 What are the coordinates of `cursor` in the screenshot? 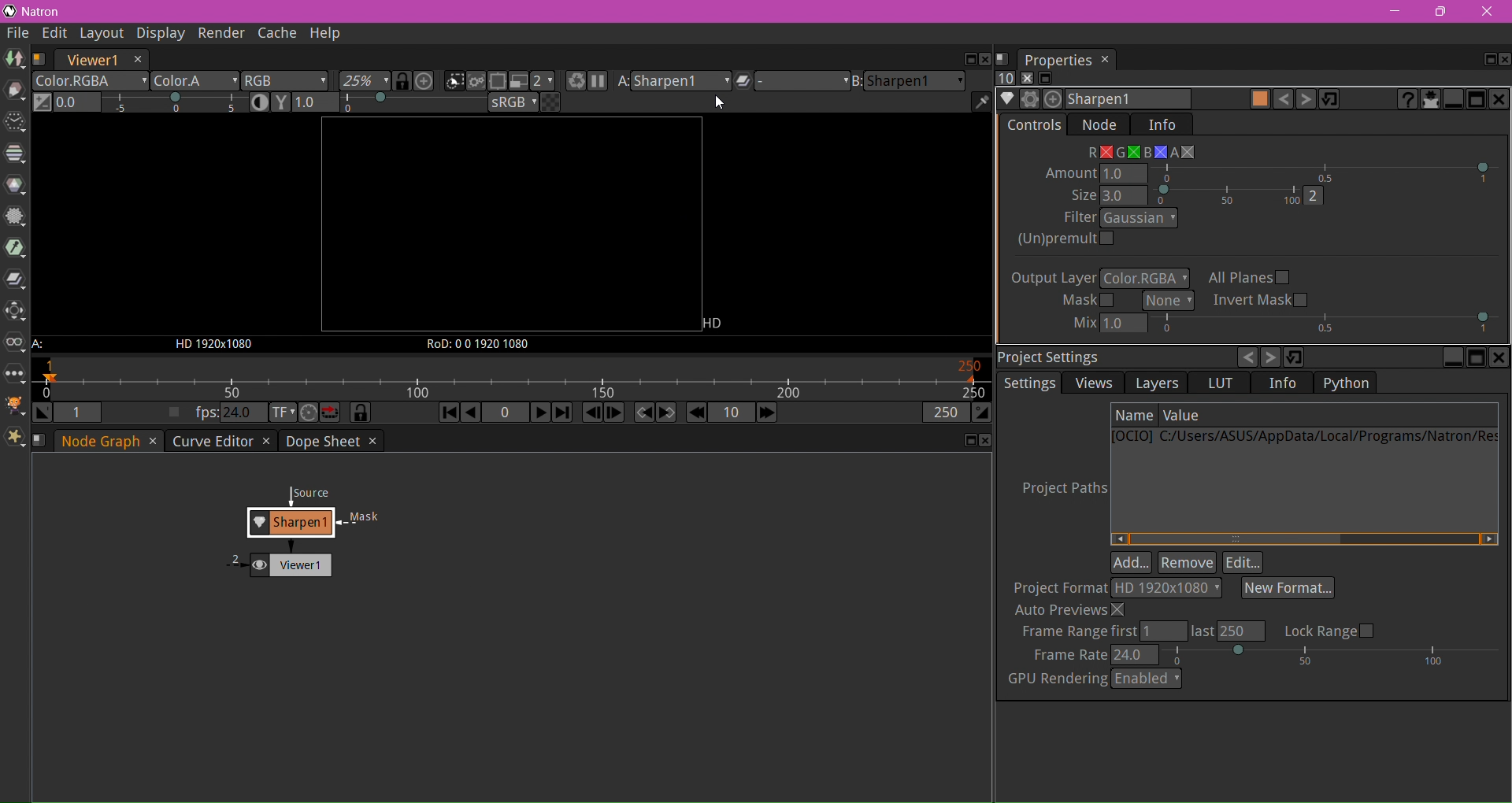 It's located at (721, 104).